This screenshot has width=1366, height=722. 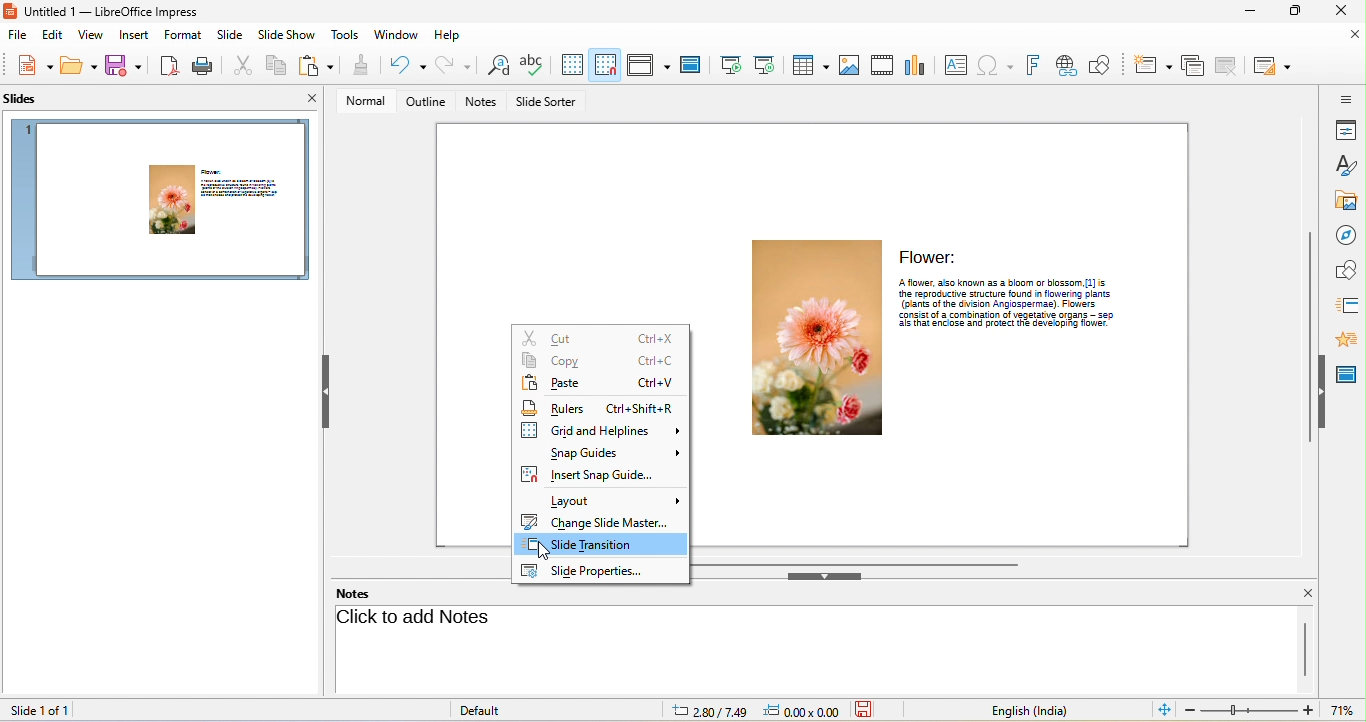 What do you see at coordinates (648, 65) in the screenshot?
I see `display view` at bounding box center [648, 65].